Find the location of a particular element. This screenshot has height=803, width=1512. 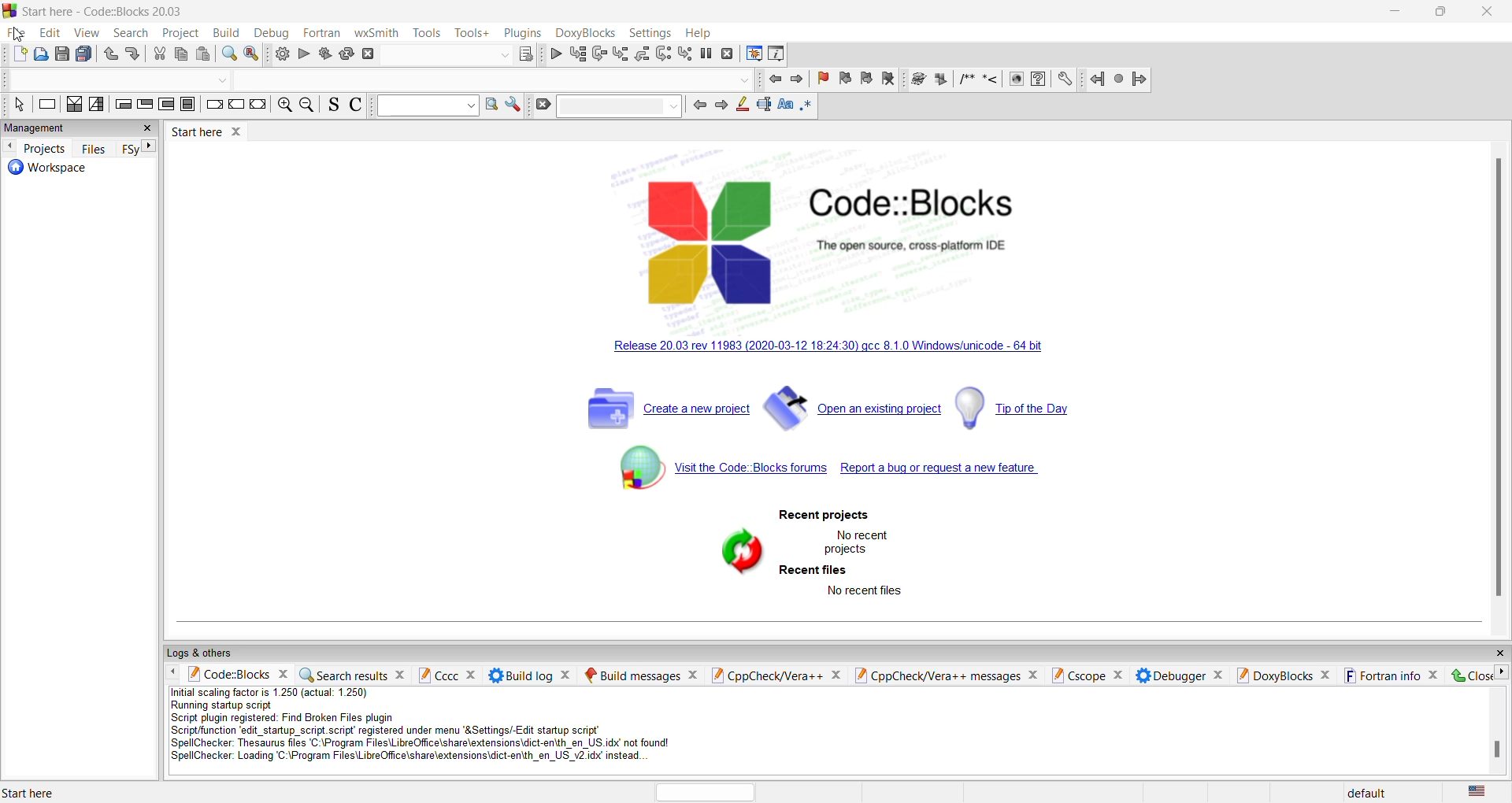

workspace is located at coordinates (43, 170).